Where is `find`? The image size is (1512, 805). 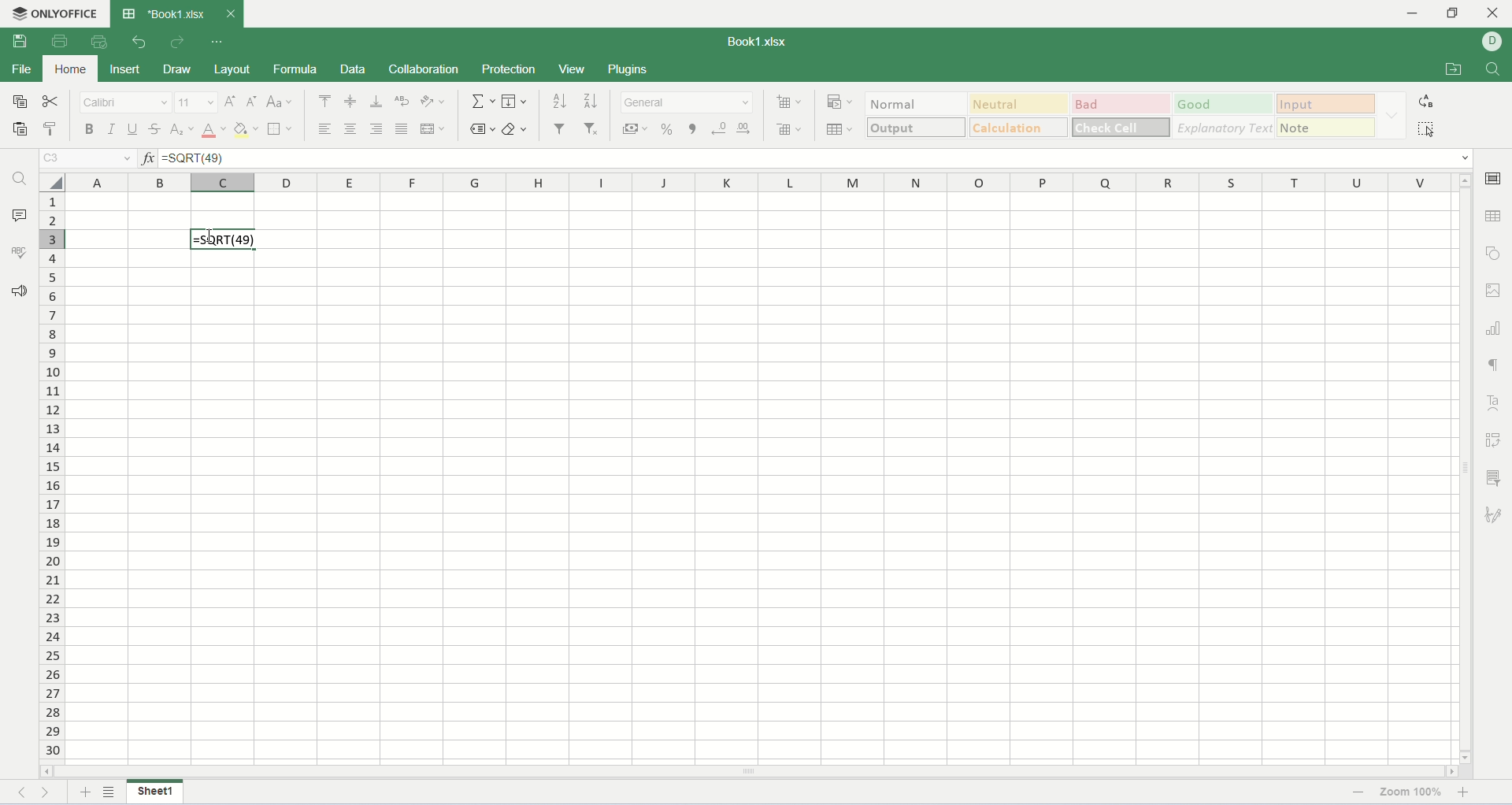 find is located at coordinates (19, 180).